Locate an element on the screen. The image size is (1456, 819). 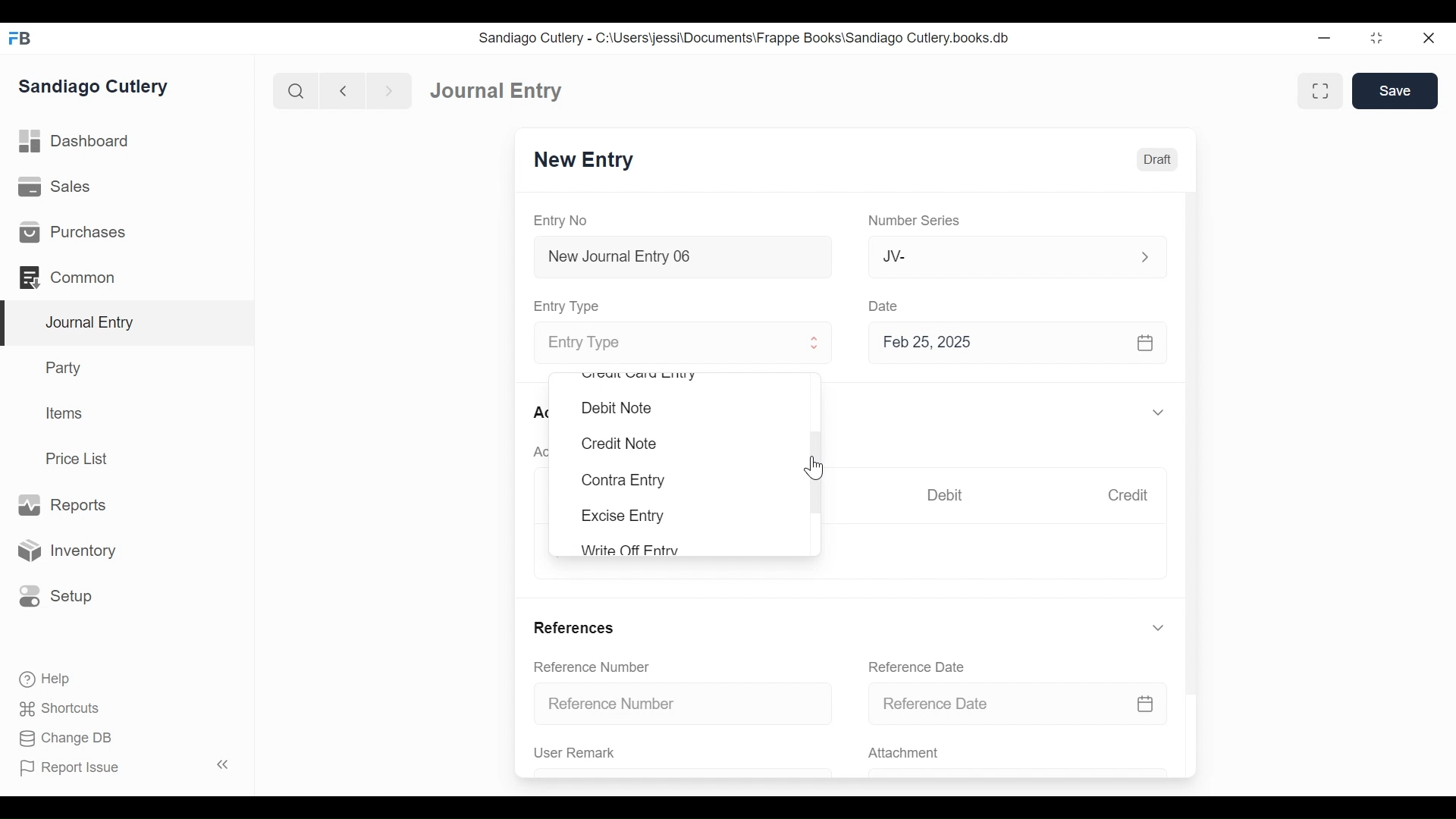
Reference Date is located at coordinates (915, 667).